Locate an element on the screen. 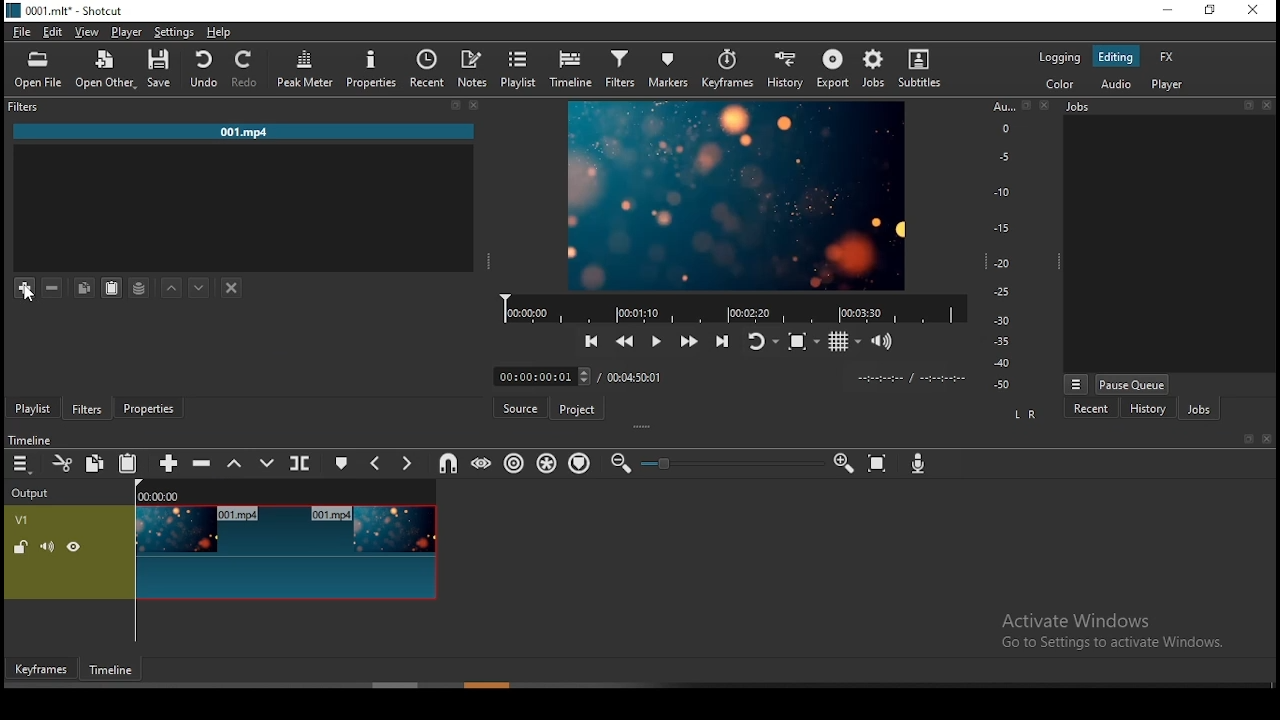 The height and width of the screenshot is (720, 1280). cursor is located at coordinates (30, 296).